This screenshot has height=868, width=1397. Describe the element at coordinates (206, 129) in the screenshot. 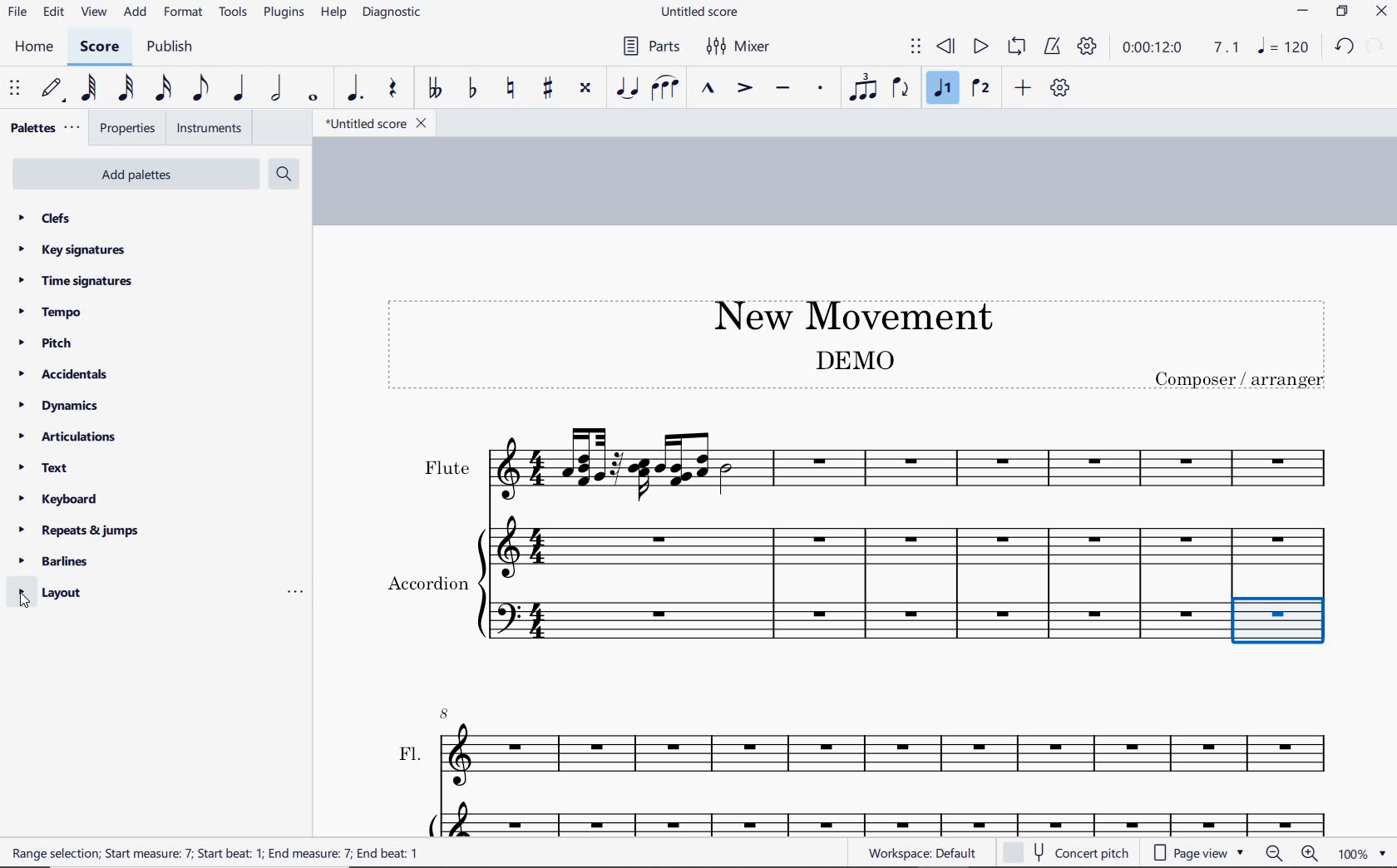

I see `instruments` at that location.